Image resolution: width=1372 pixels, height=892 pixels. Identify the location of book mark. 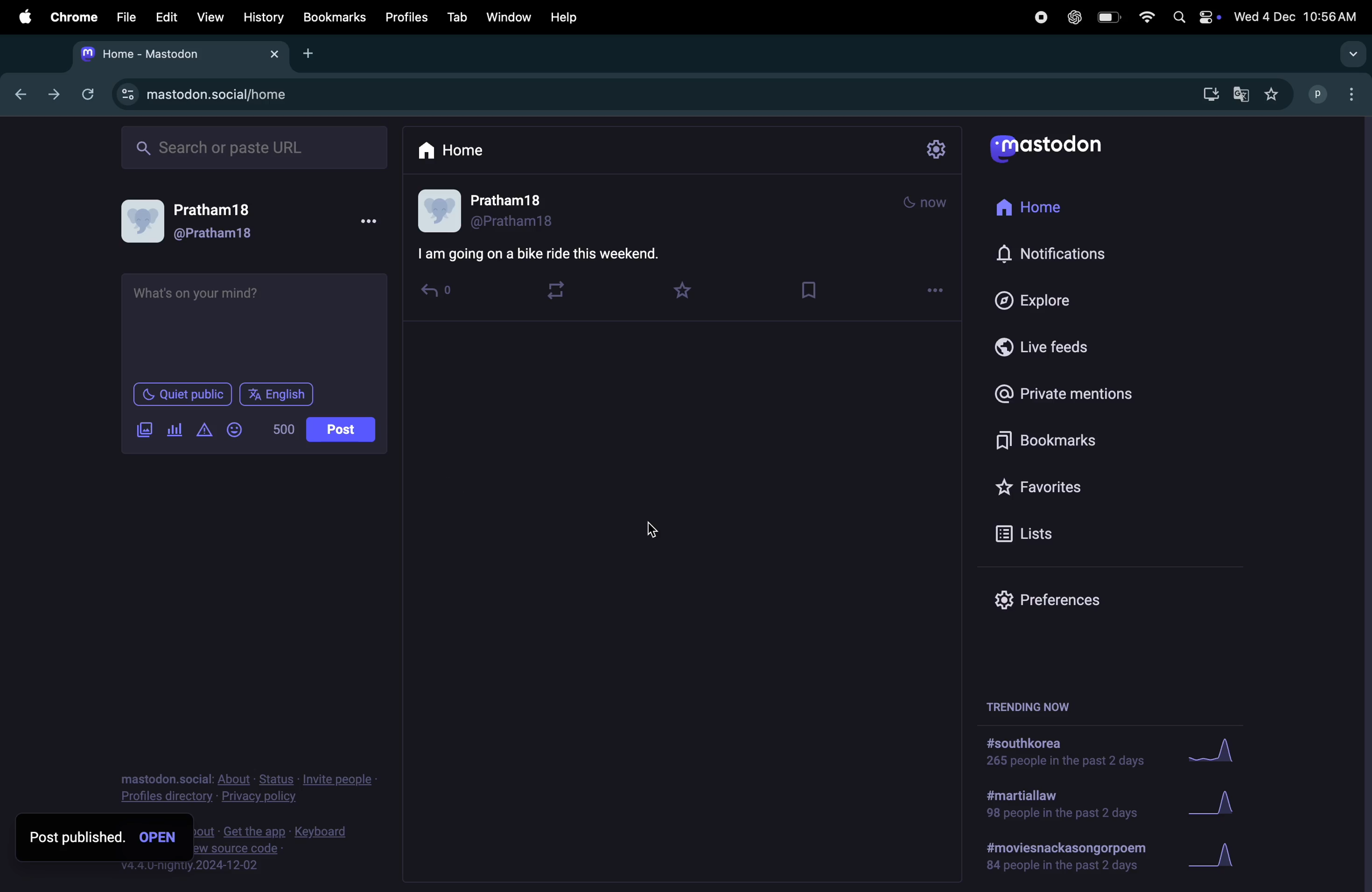
(813, 289).